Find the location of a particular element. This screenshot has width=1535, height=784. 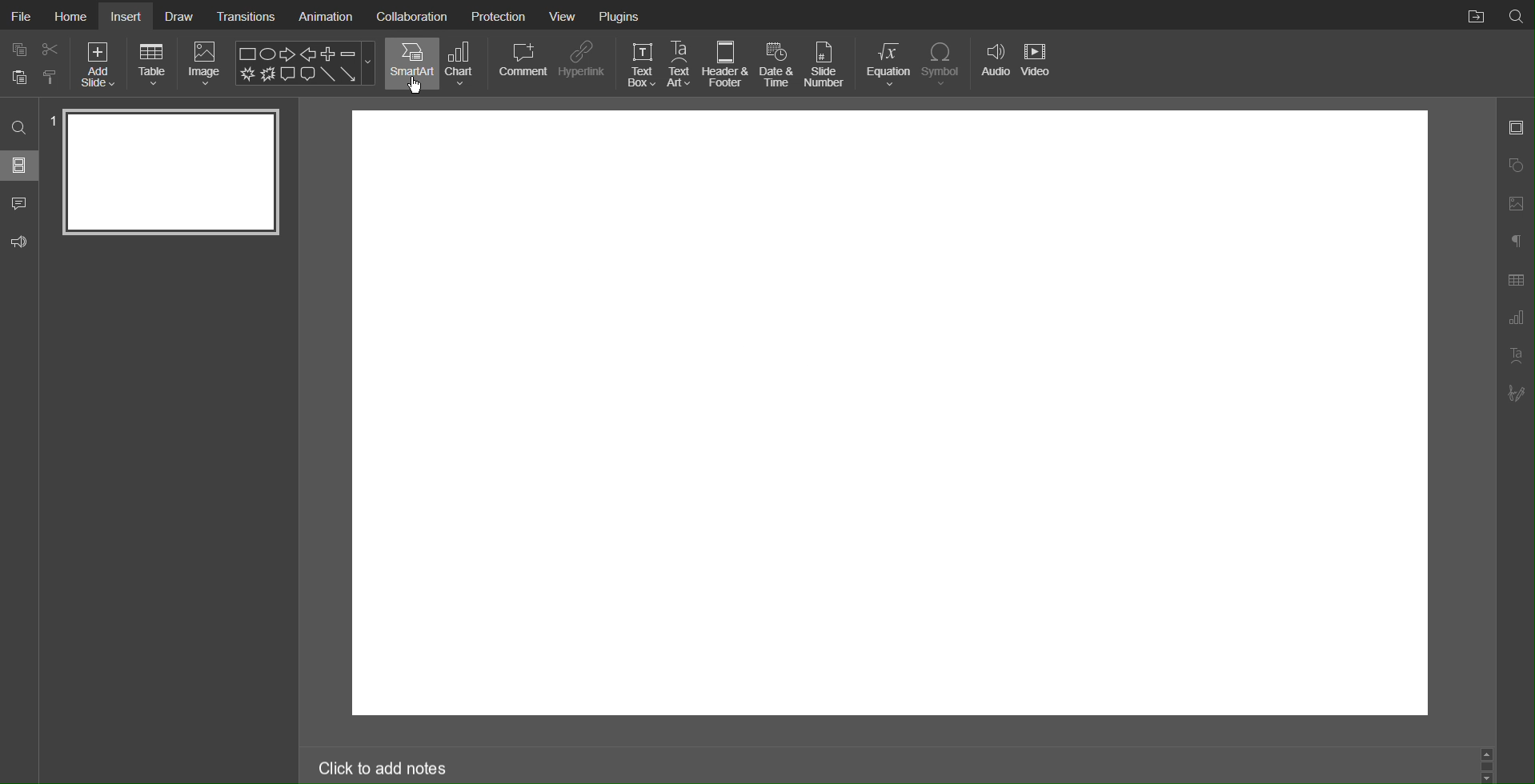

Feedback and Support is located at coordinates (23, 239).